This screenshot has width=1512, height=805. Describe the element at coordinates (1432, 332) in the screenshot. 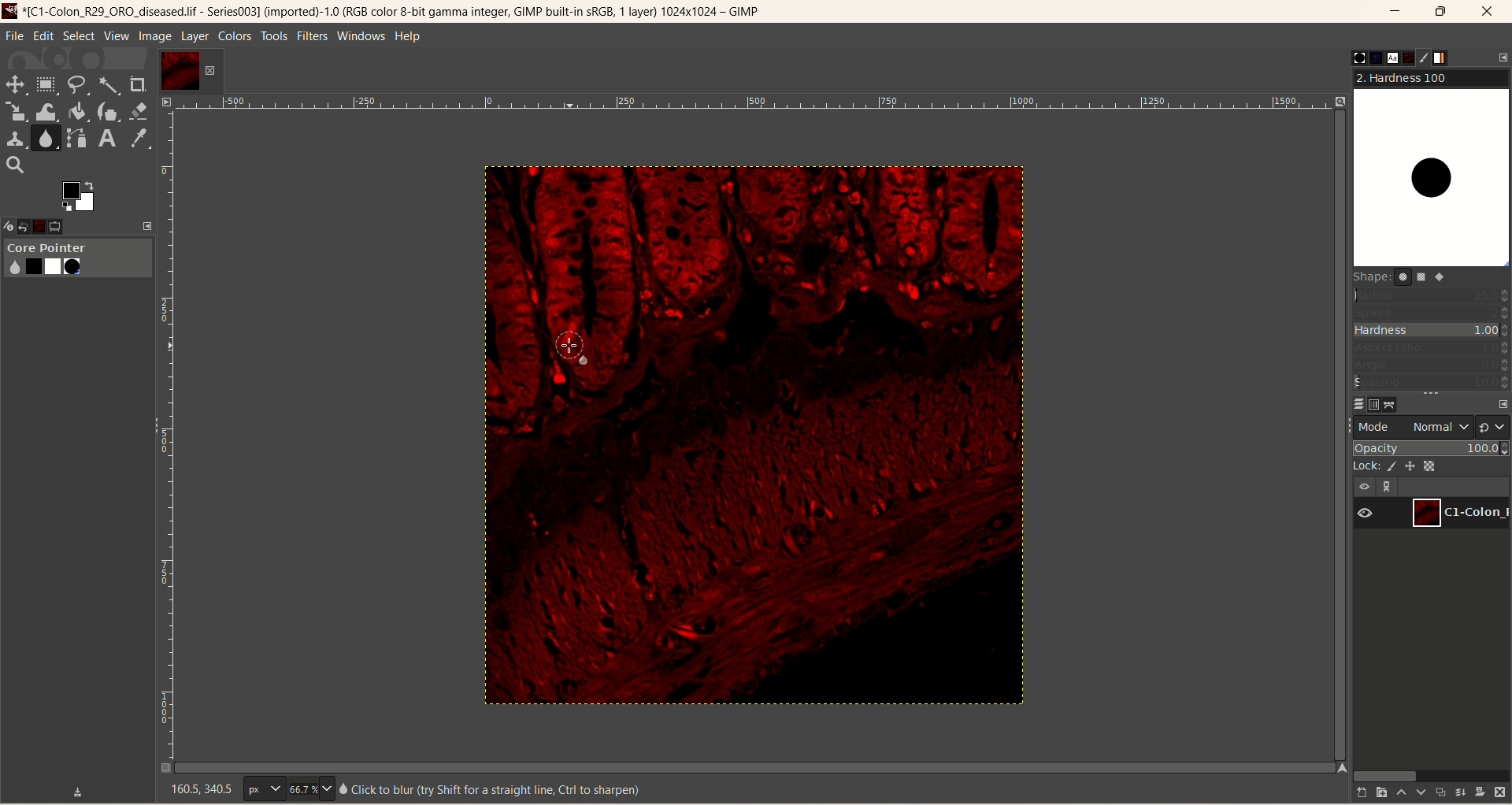

I see `hardness` at that location.